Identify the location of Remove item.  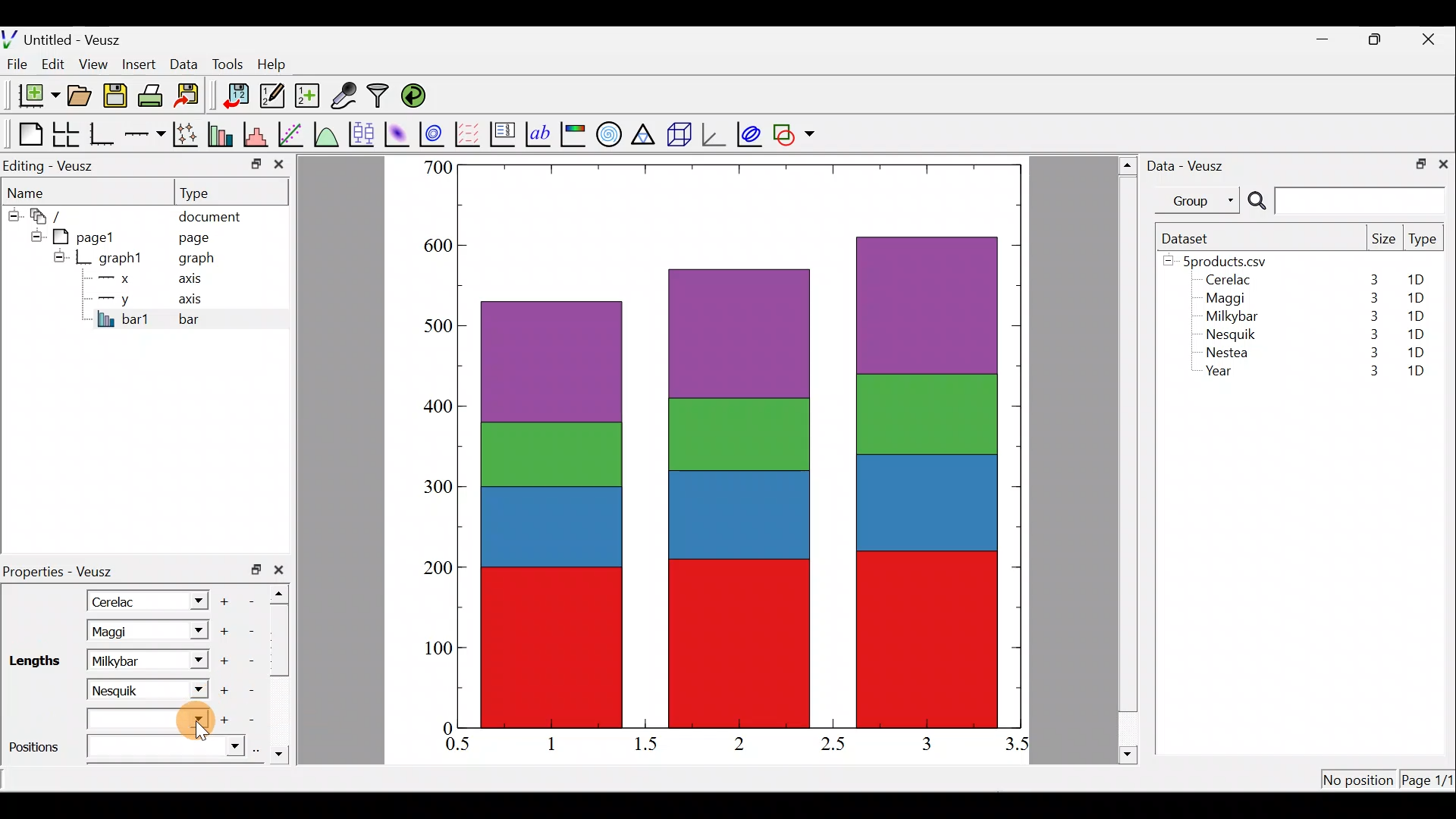
(252, 660).